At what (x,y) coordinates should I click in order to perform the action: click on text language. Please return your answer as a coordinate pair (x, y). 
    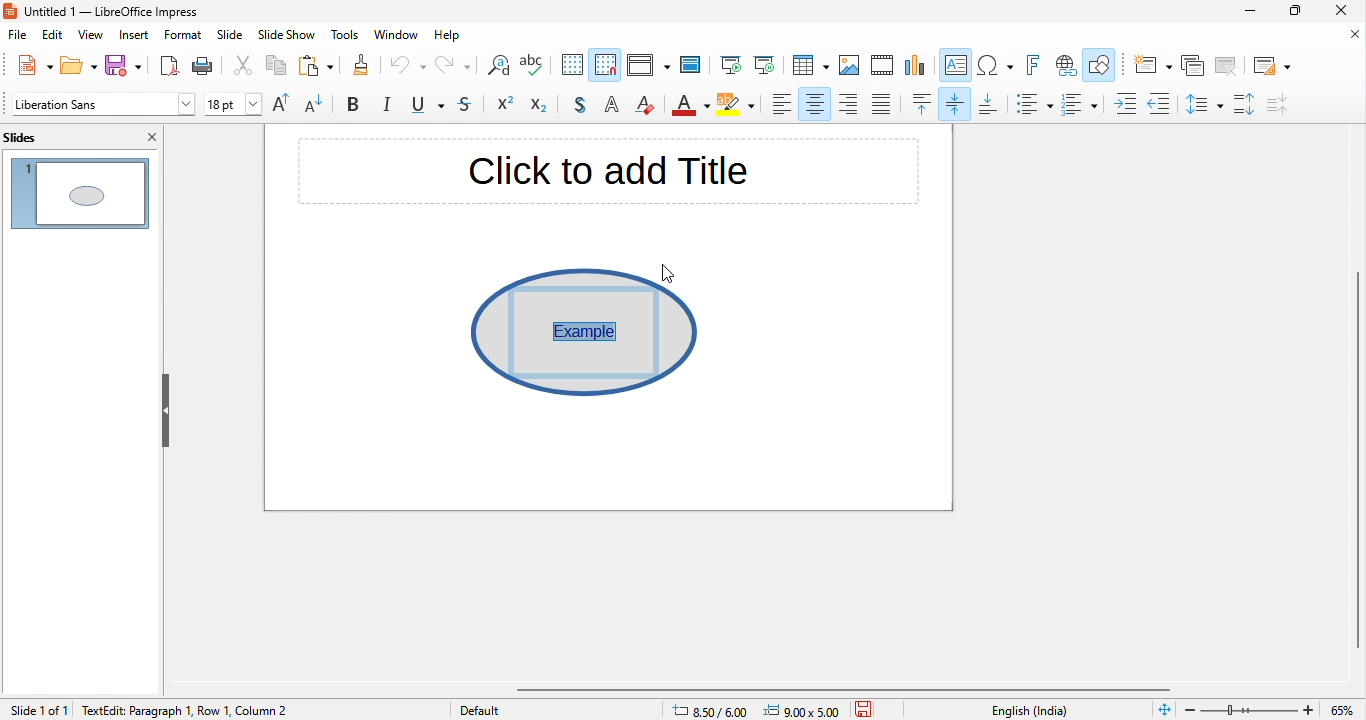
    Looking at the image, I should click on (1032, 710).